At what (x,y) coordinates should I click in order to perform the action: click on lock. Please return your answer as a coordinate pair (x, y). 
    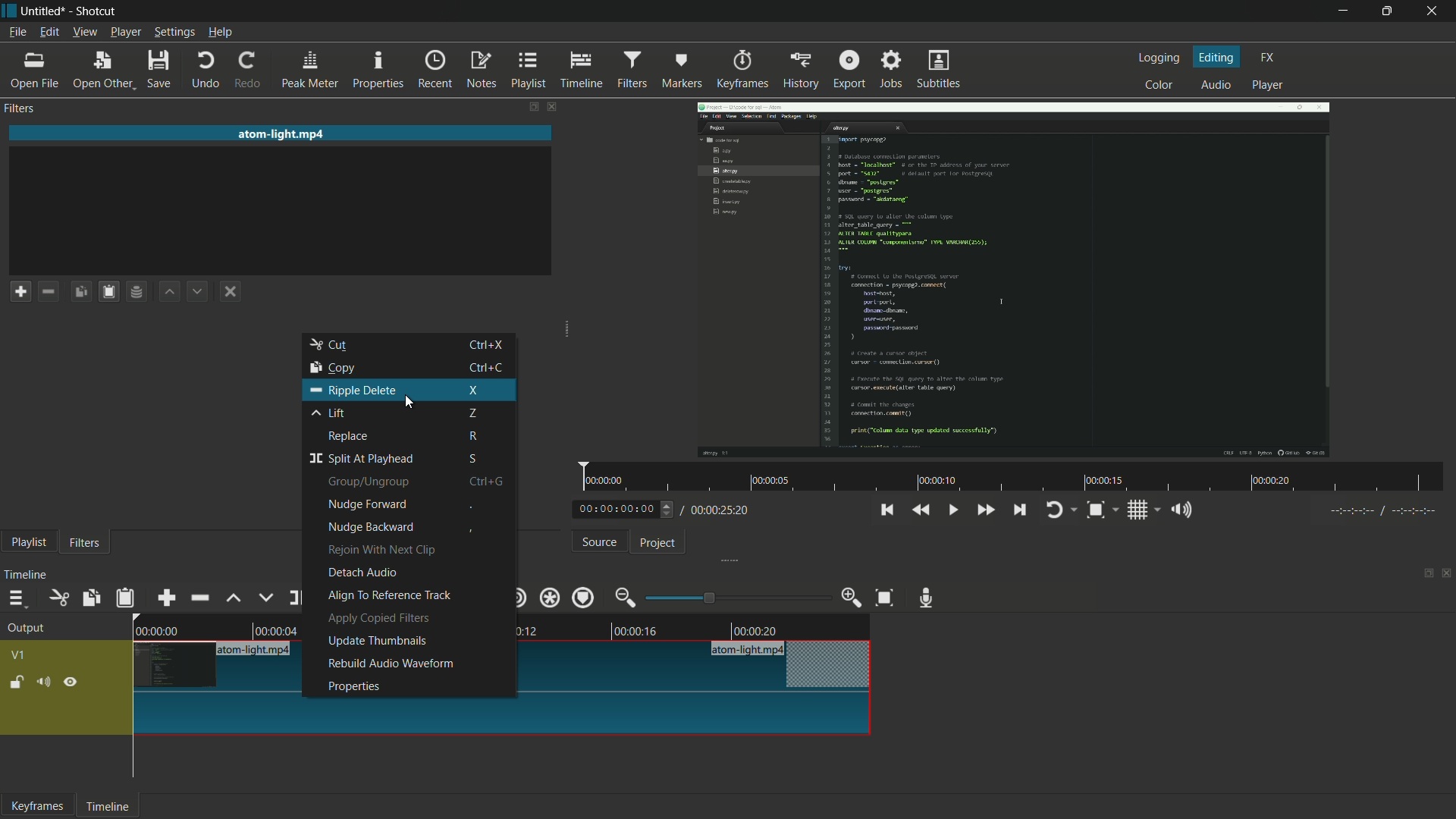
    Looking at the image, I should click on (17, 683).